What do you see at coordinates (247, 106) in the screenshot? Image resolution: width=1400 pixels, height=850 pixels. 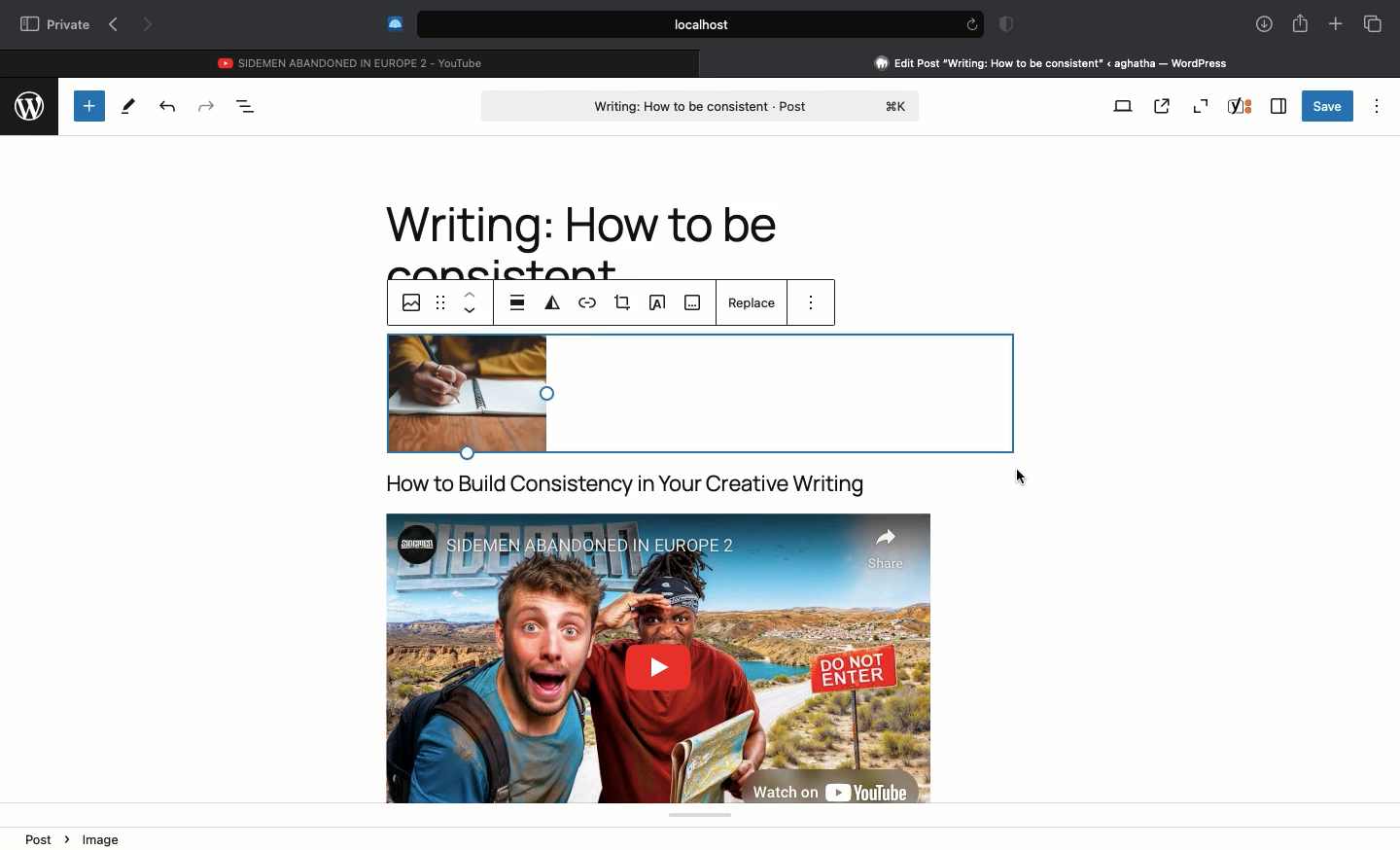 I see `Document overview` at bounding box center [247, 106].